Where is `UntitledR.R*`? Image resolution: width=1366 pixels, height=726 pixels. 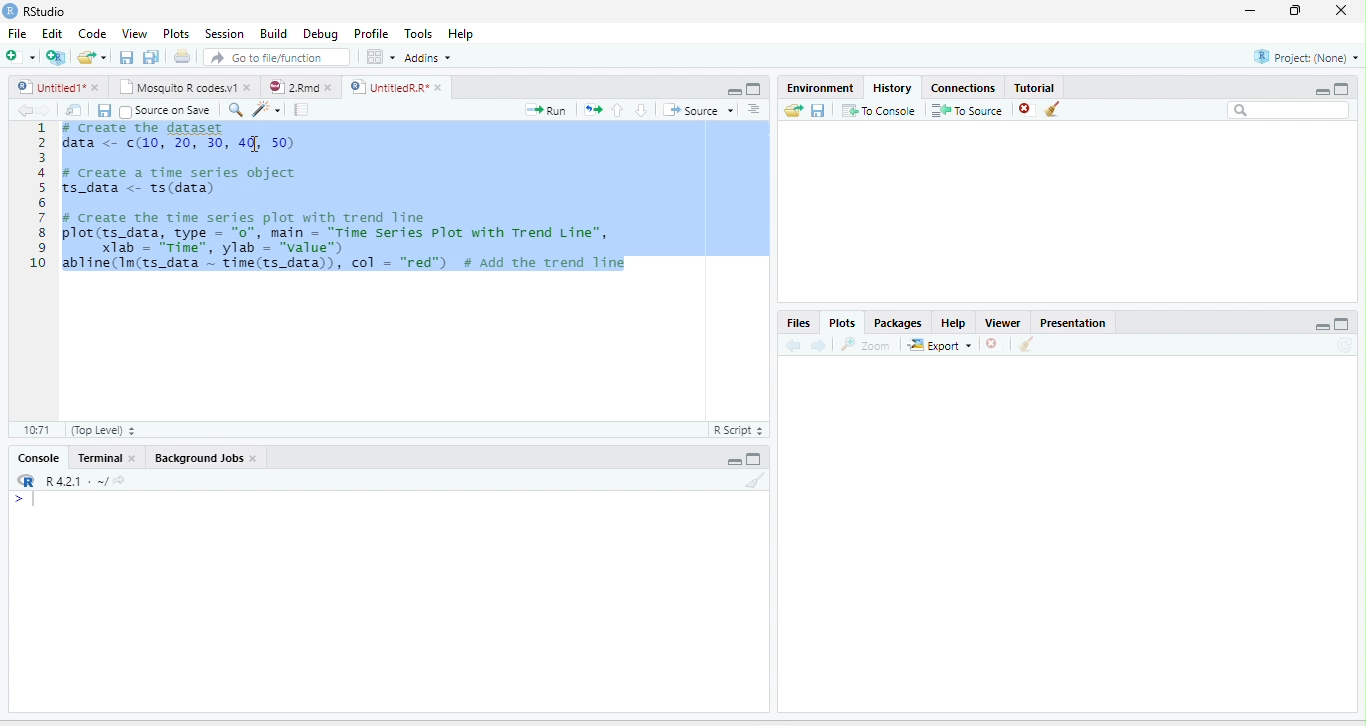 UntitledR.R* is located at coordinates (388, 87).